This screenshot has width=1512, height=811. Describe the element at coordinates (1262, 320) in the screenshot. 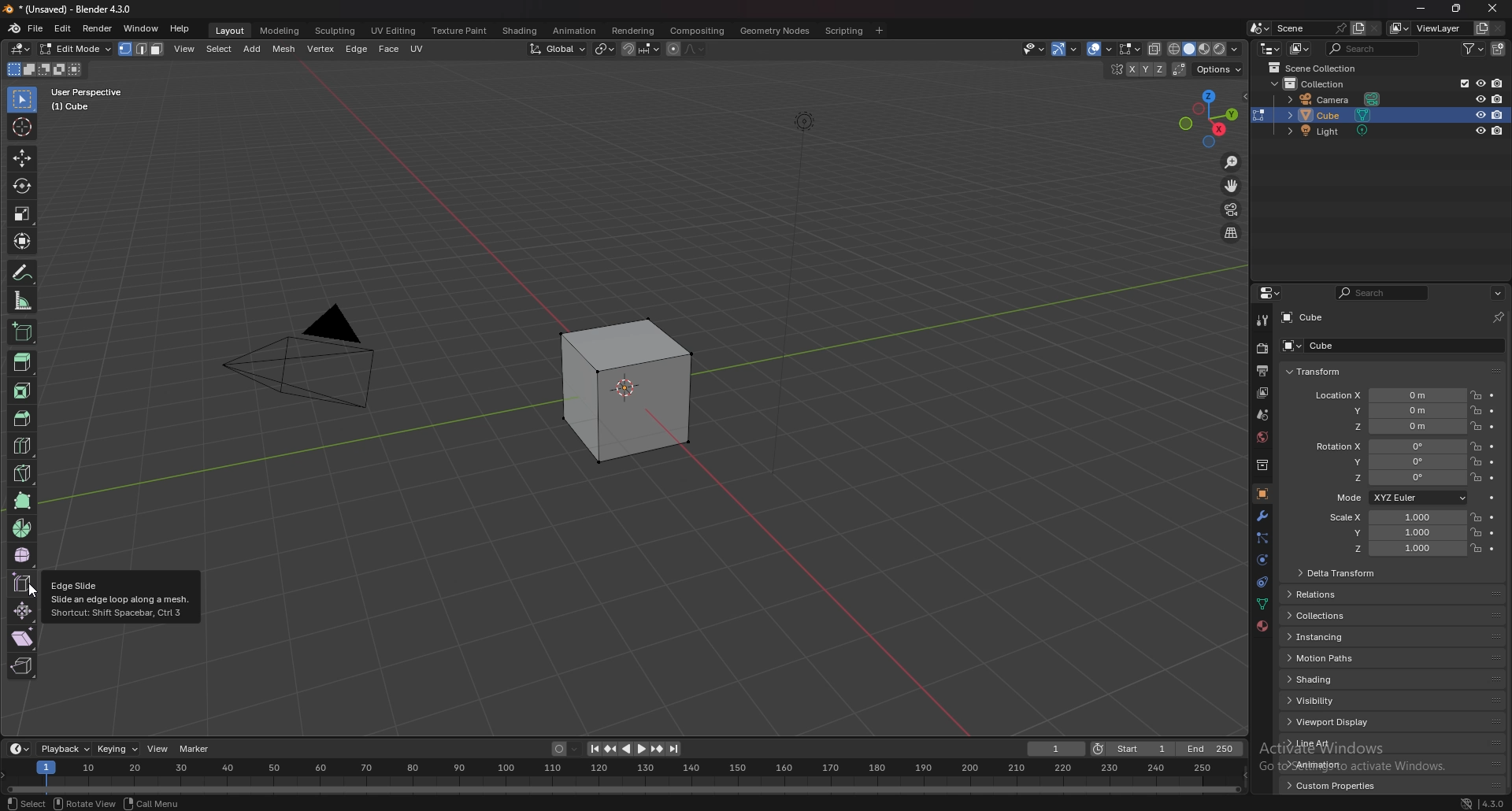

I see `tool` at that location.